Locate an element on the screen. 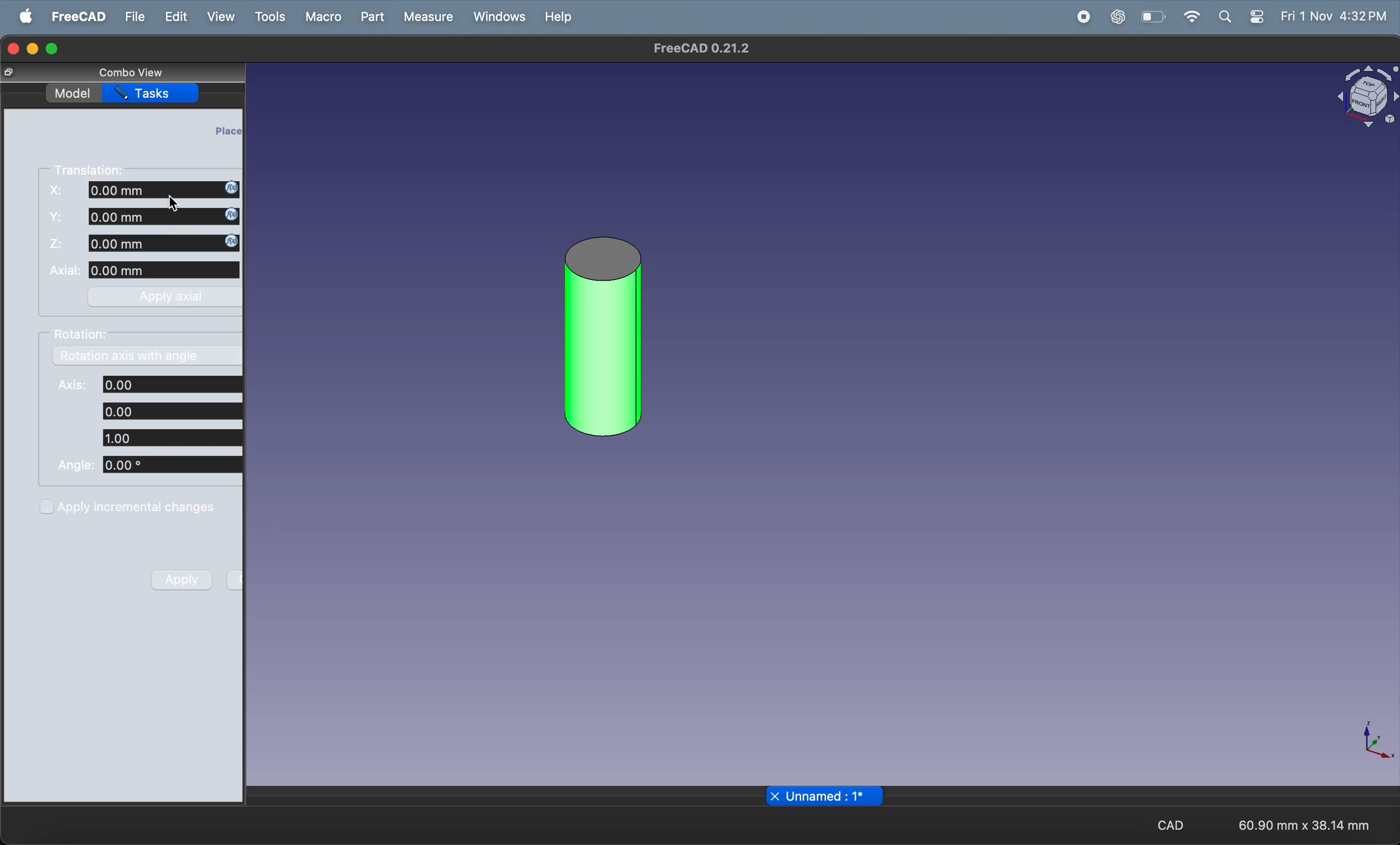 This screenshot has width=1400, height=845. object view is located at coordinates (1367, 97).